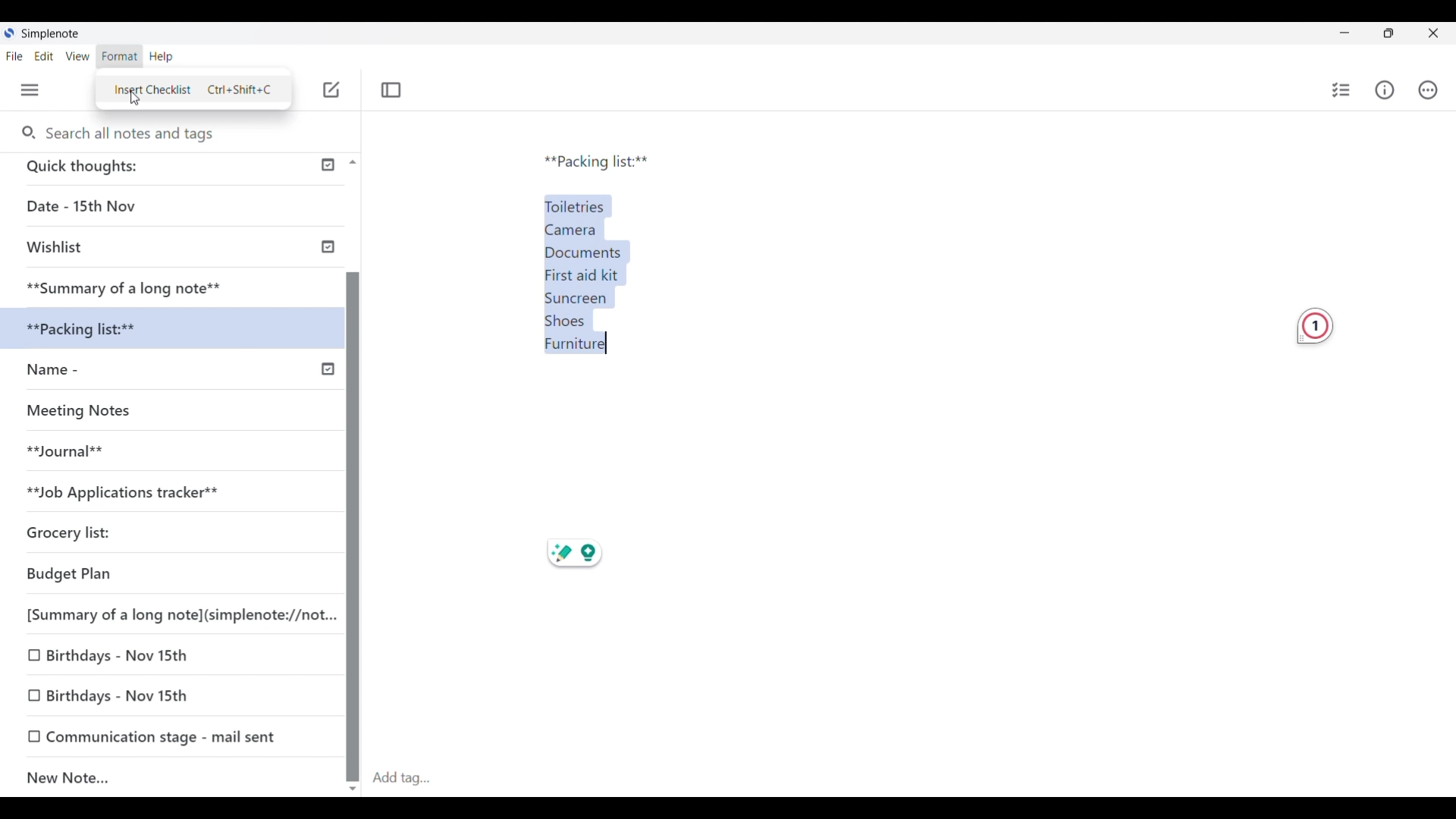  Describe the element at coordinates (14, 56) in the screenshot. I see `File menu` at that location.